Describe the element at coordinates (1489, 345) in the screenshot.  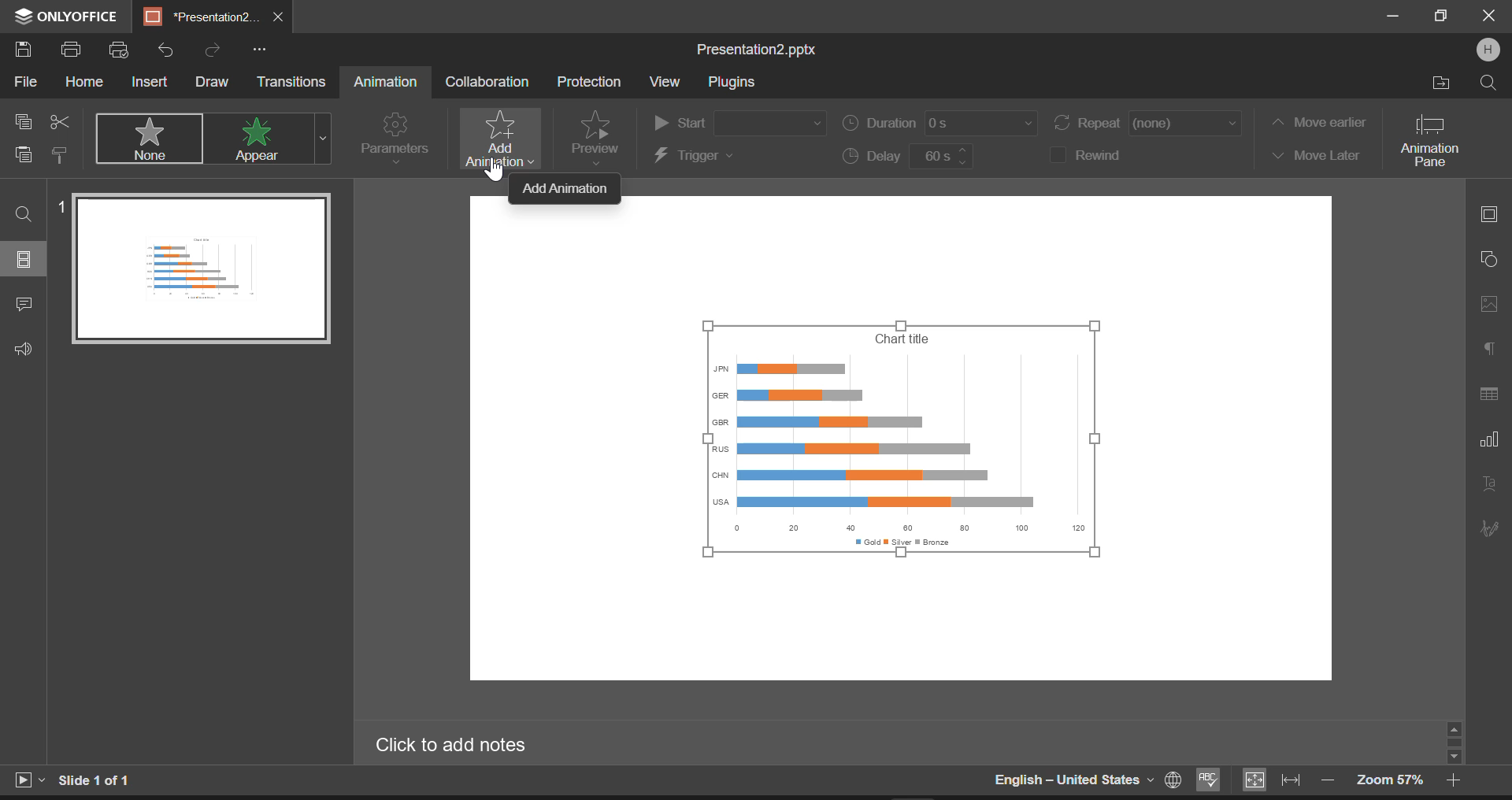
I see `Paragraph Settings` at that location.